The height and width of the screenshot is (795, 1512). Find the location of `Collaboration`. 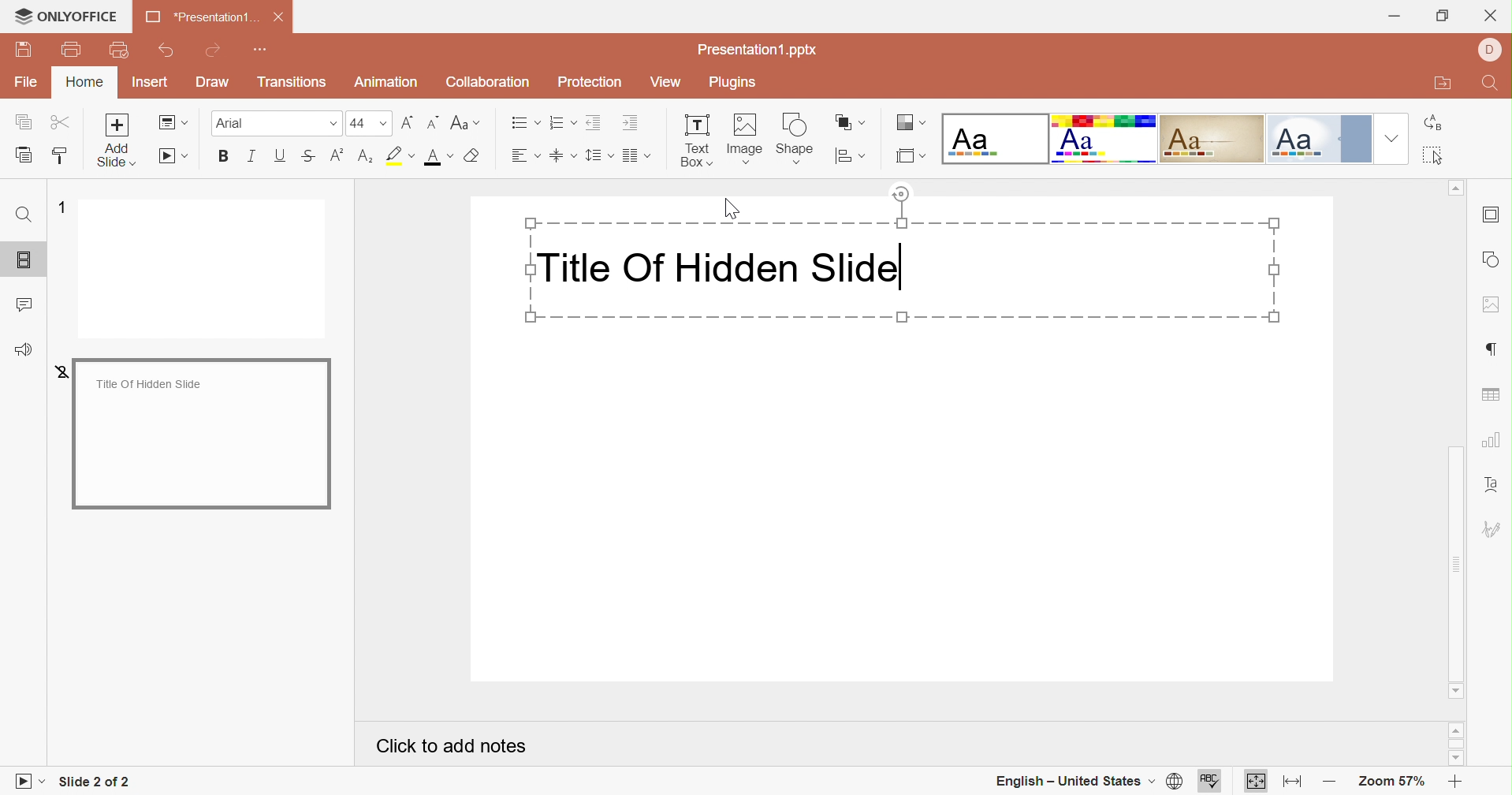

Collaboration is located at coordinates (487, 80).